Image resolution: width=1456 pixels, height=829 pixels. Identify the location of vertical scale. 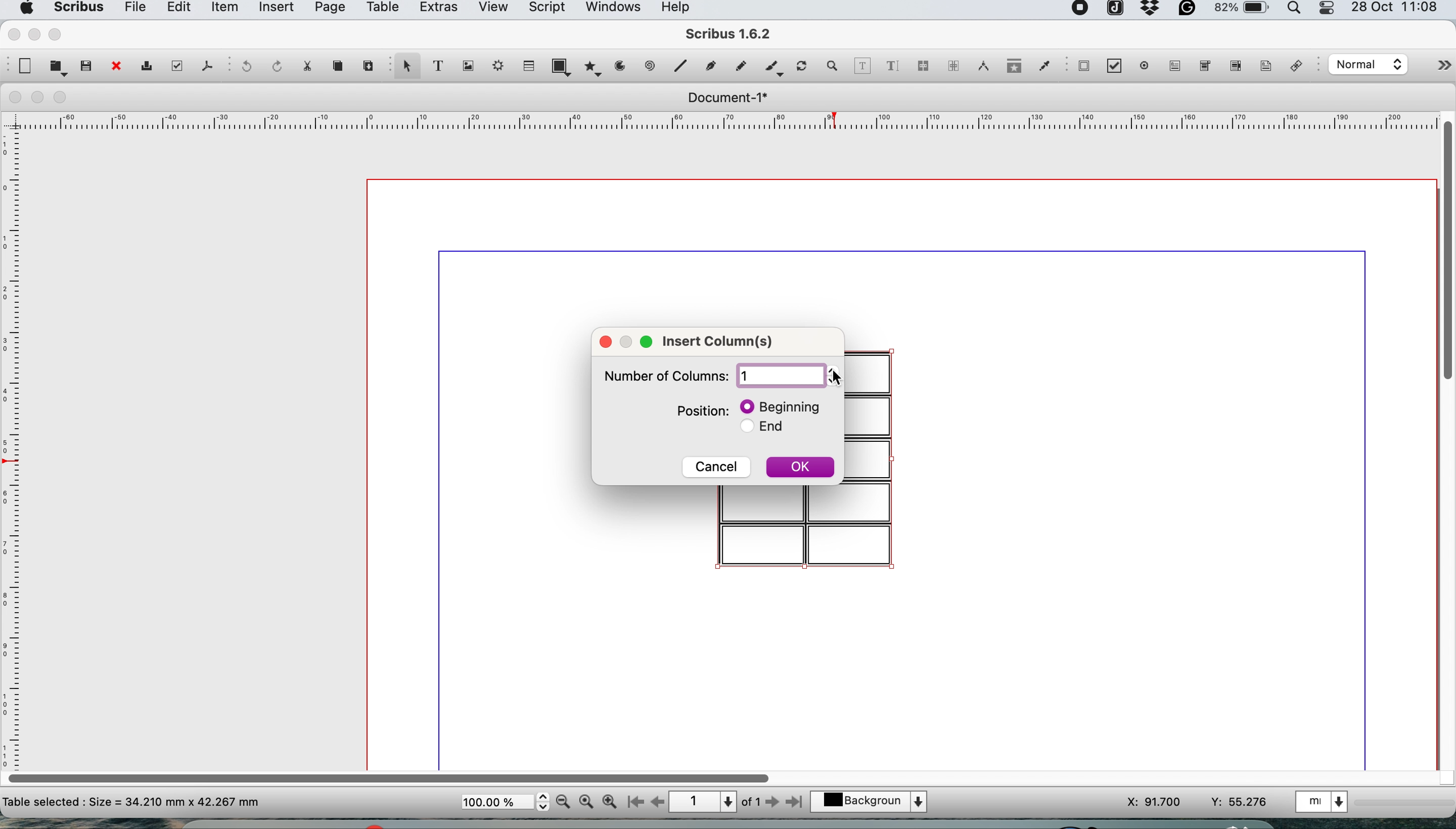
(14, 437).